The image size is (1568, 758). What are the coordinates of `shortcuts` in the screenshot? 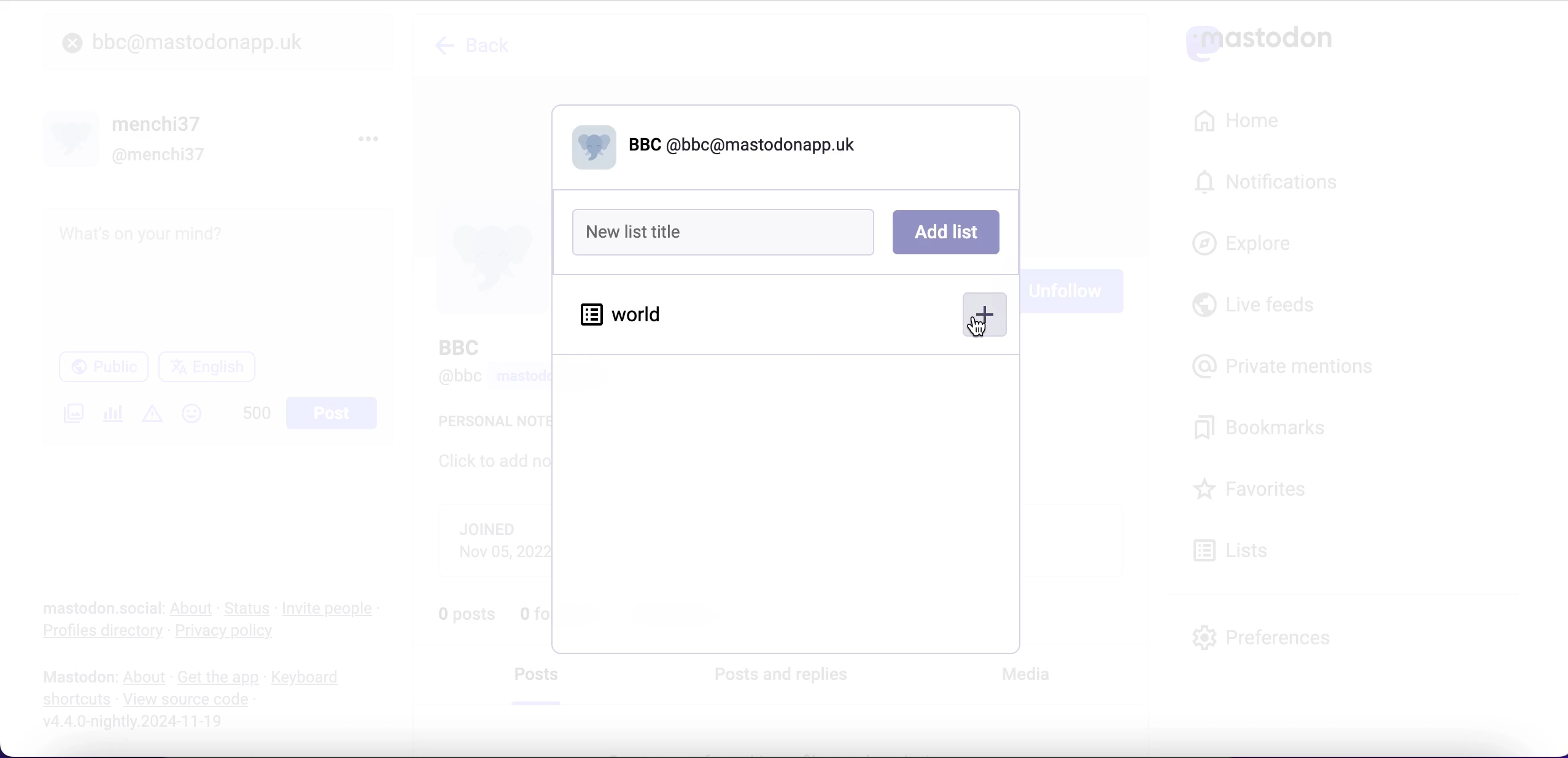 It's located at (72, 700).